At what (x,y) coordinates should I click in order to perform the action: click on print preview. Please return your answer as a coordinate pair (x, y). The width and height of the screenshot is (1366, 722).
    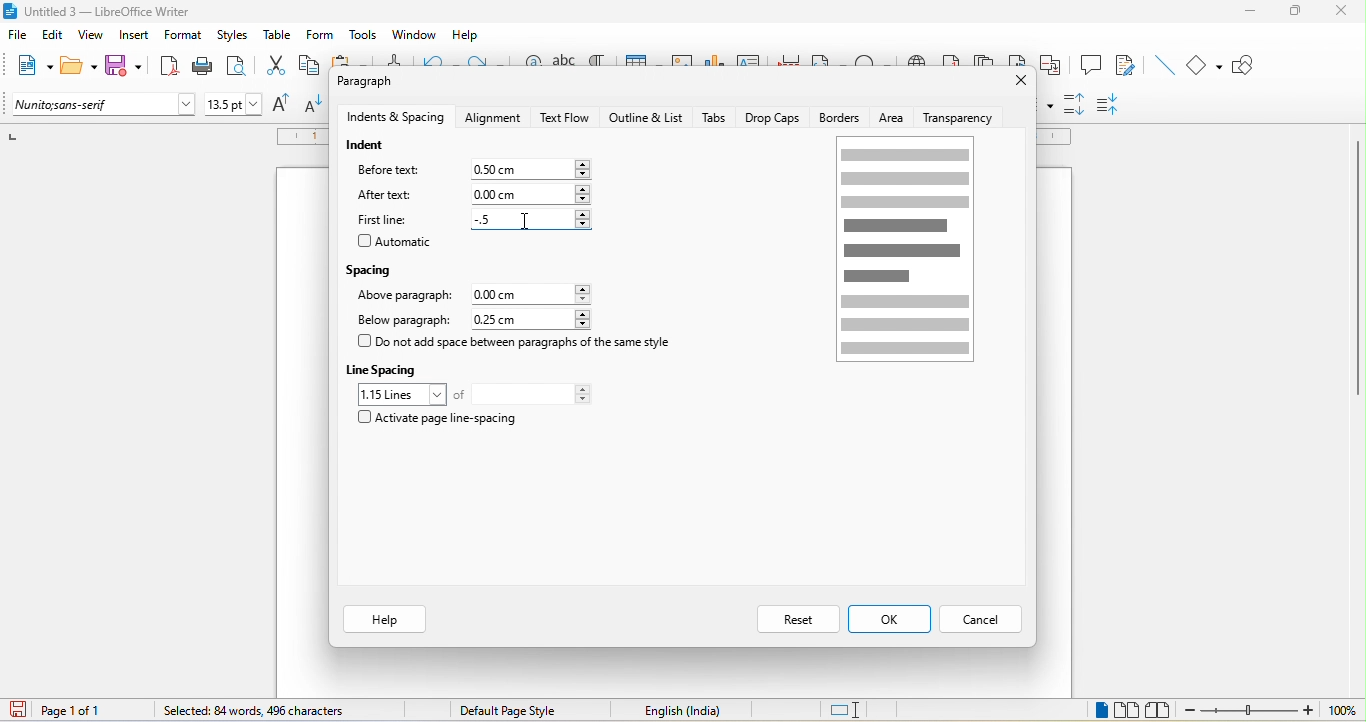
    Looking at the image, I should click on (241, 66).